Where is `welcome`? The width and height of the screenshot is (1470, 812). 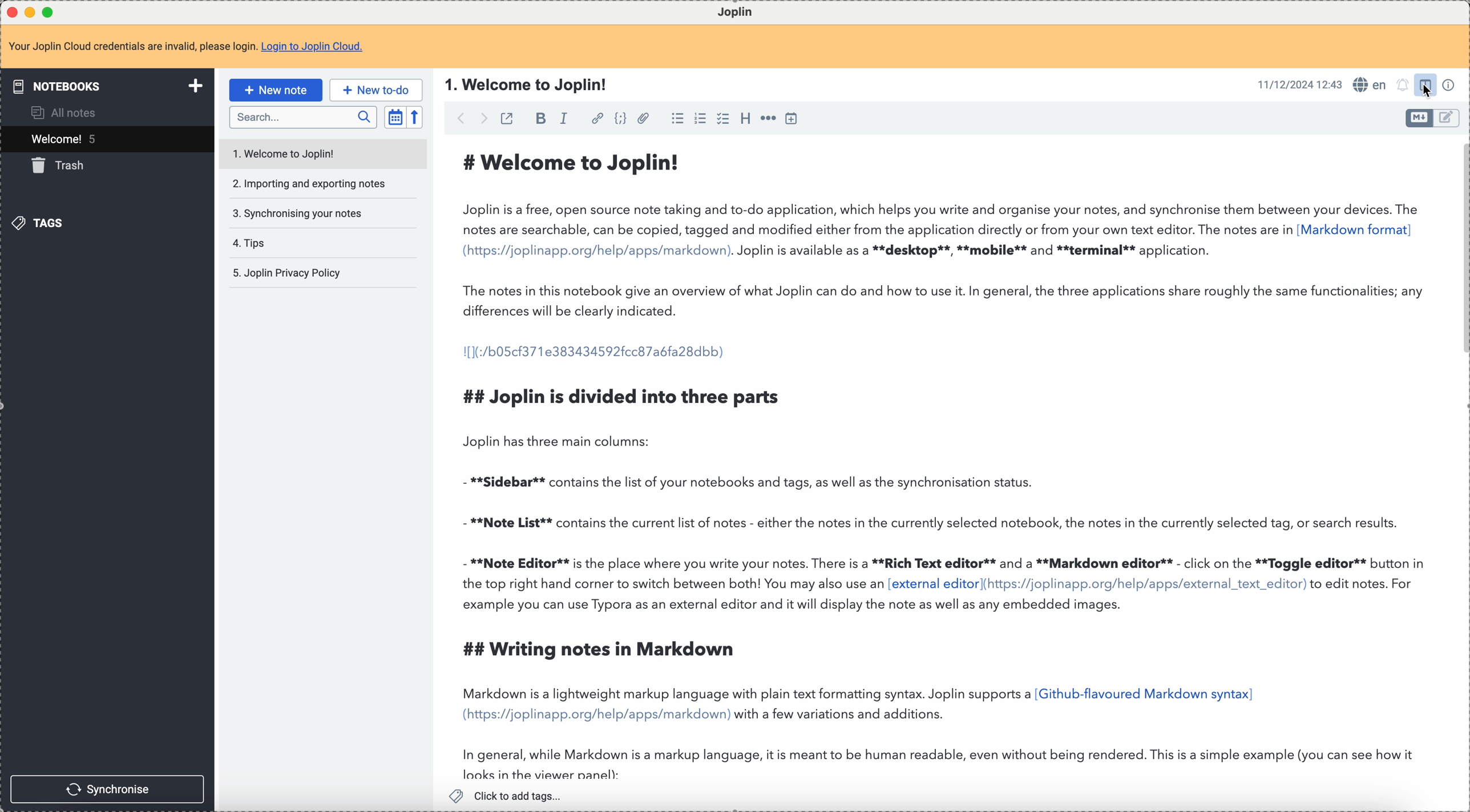
welcome is located at coordinates (105, 139).